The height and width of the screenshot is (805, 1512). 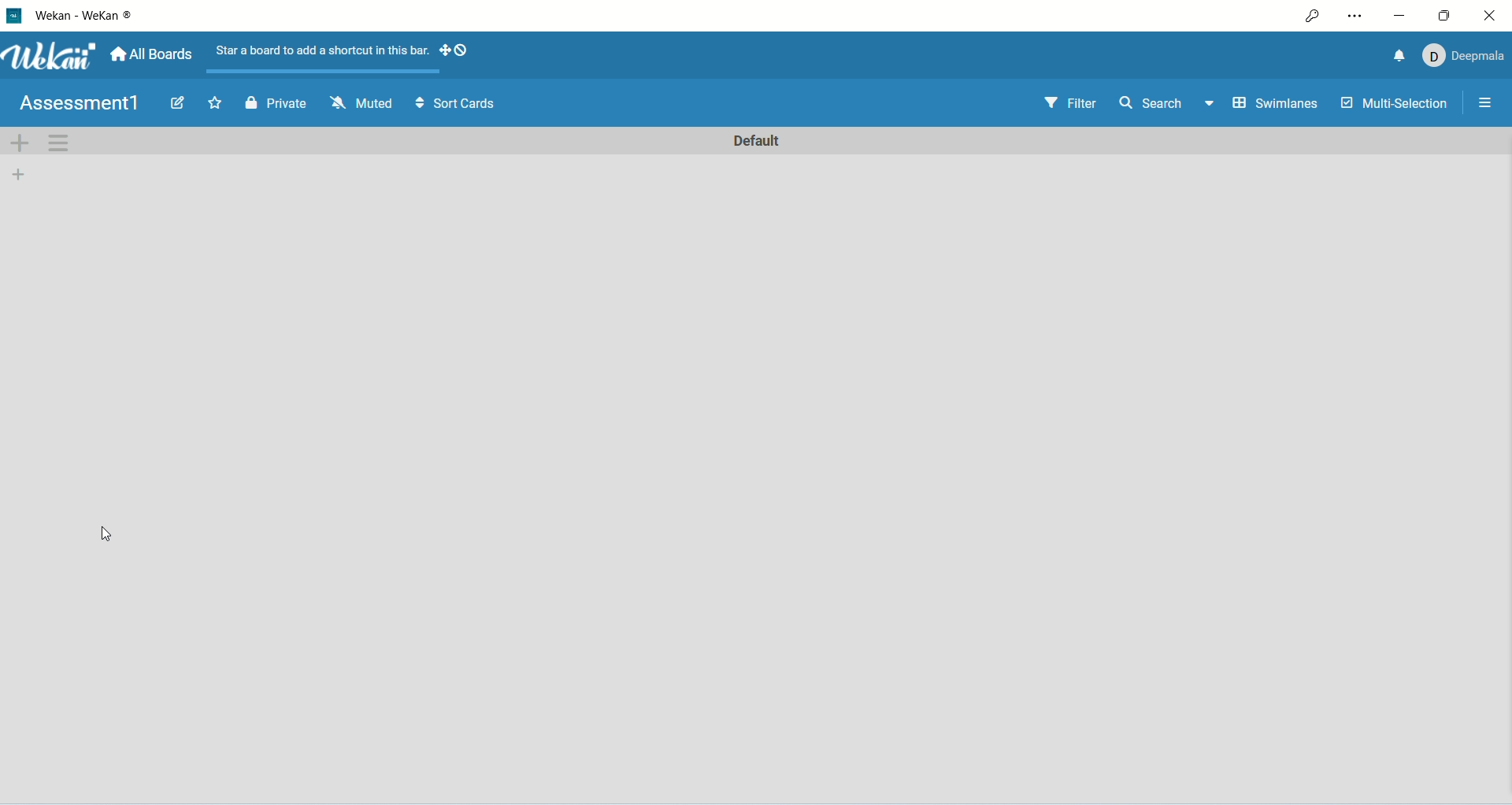 I want to click on open sidebar or close sidebar, so click(x=1484, y=103).